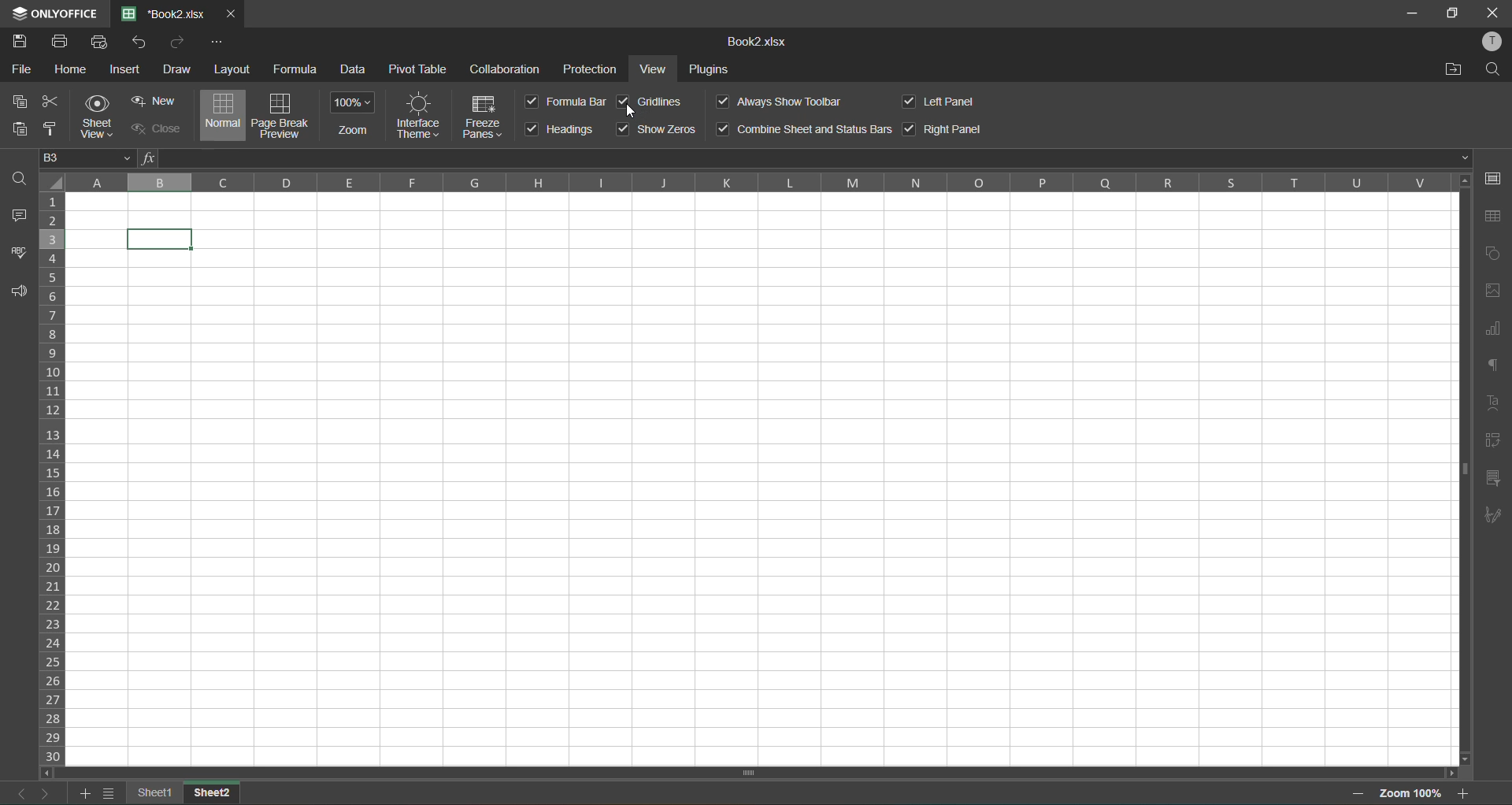 The height and width of the screenshot is (805, 1512). I want to click on feedback, so click(15, 293).